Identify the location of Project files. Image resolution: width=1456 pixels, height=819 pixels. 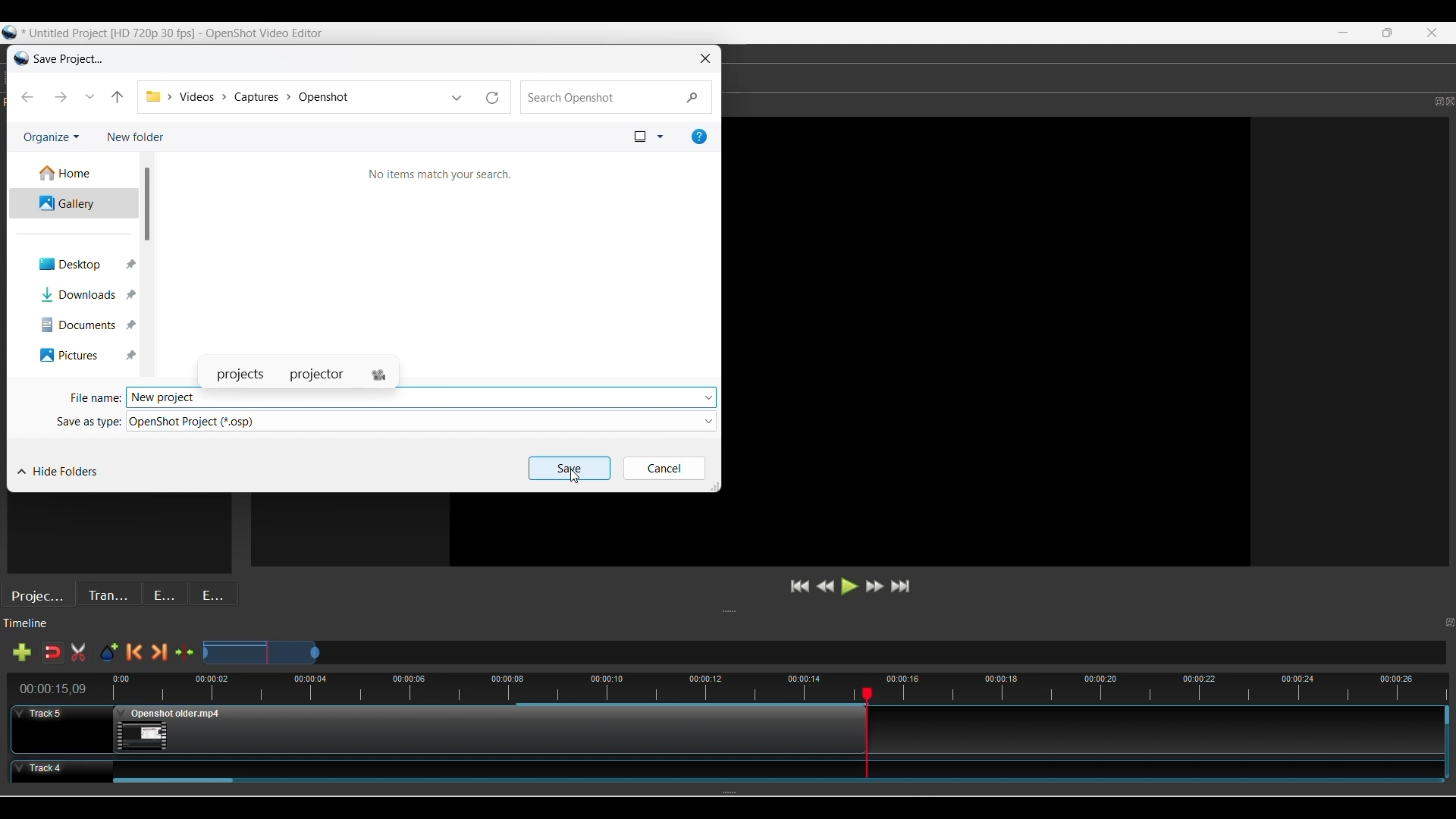
(38, 594).